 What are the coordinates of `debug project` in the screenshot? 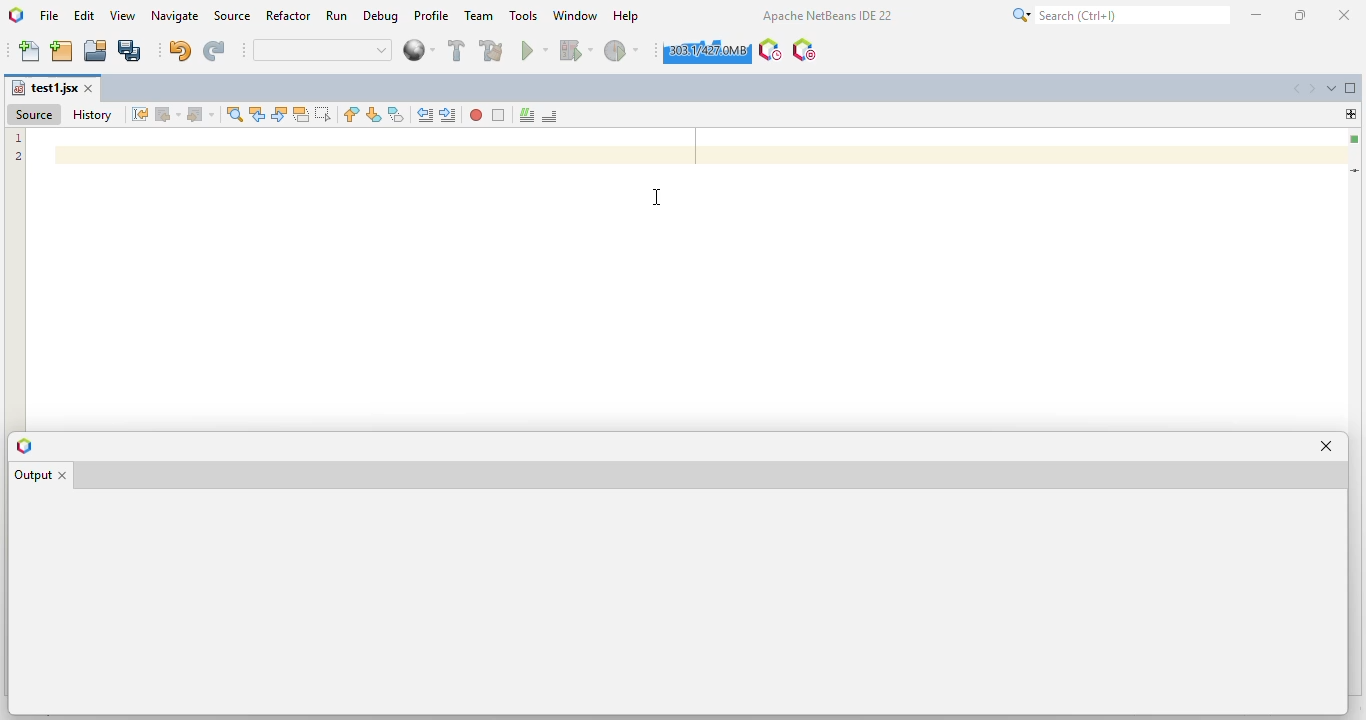 It's located at (577, 49).